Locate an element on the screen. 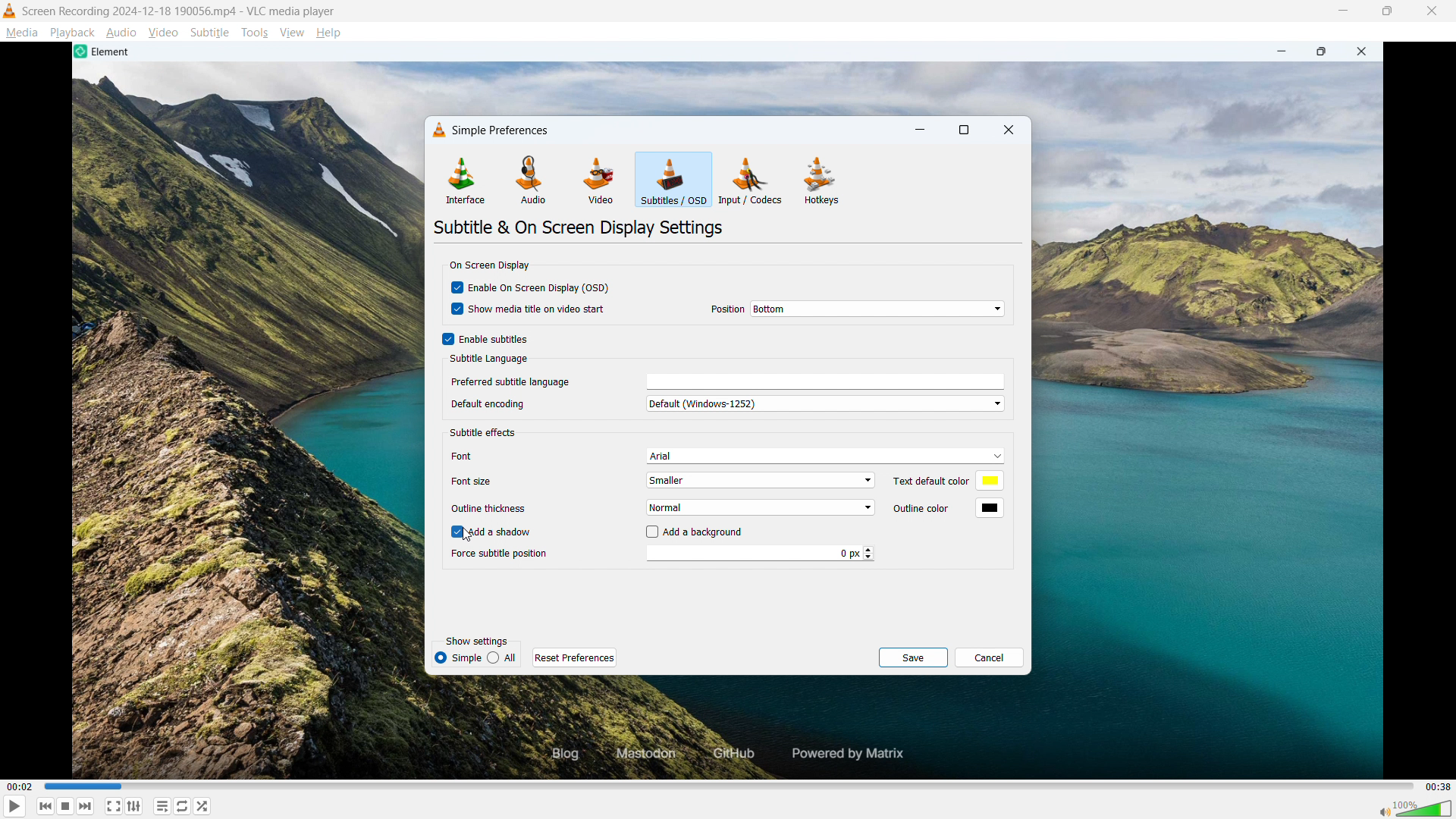  Subtitle and on screen display settings  is located at coordinates (579, 227).